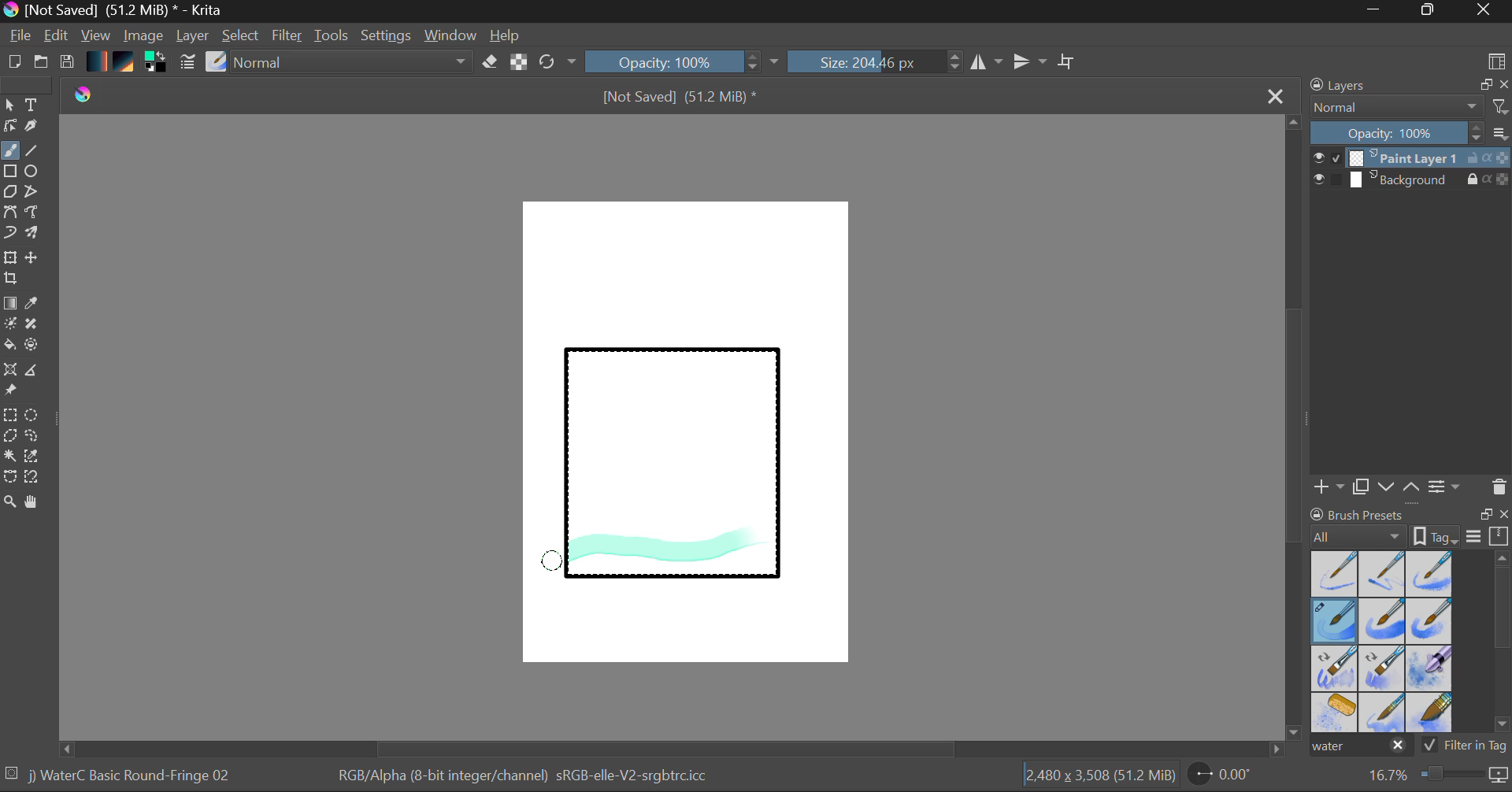 The height and width of the screenshot is (792, 1512). I want to click on Scroll Bar, so click(1503, 645).